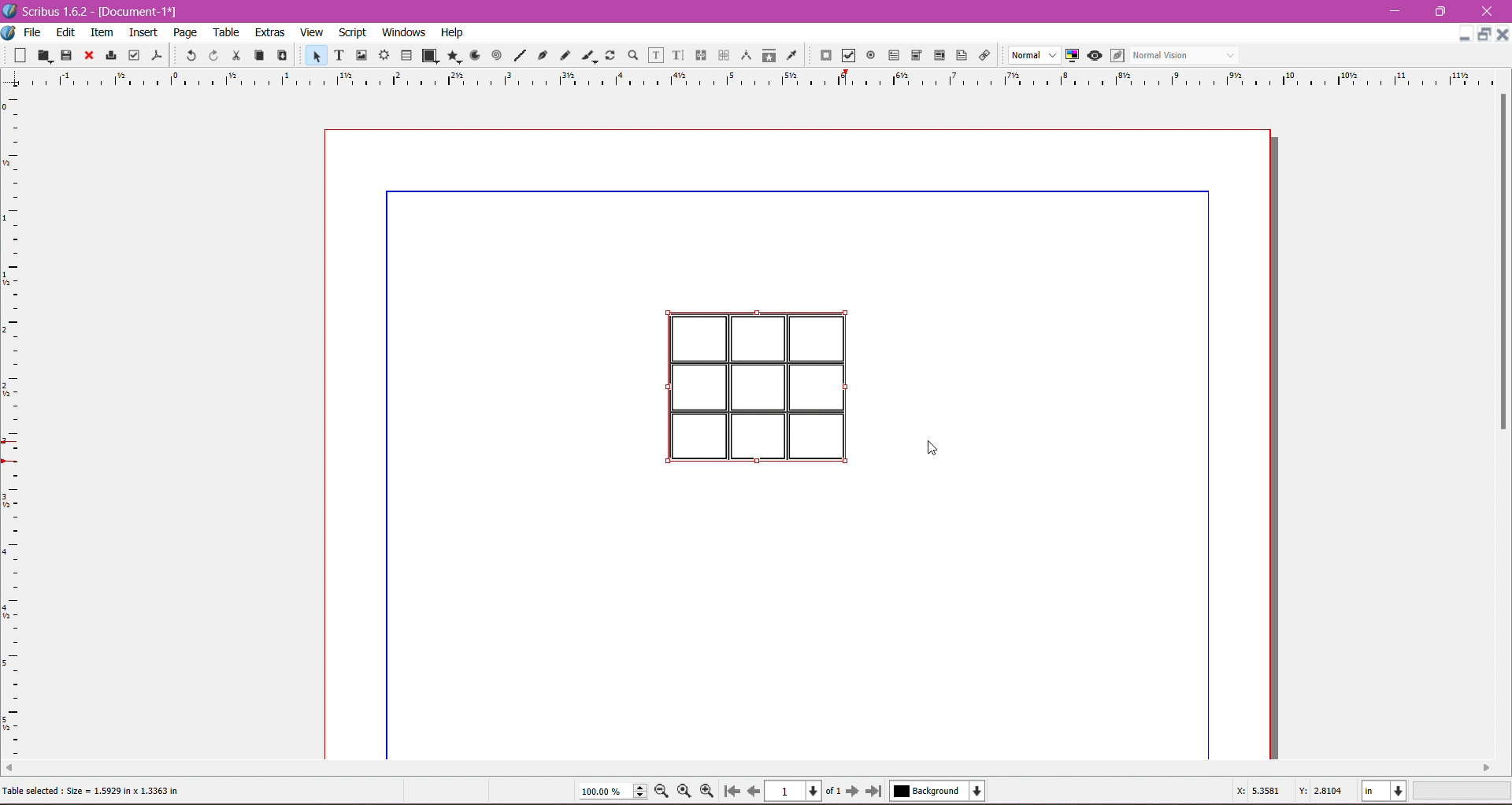 The width and height of the screenshot is (1512, 805). Describe the element at coordinates (753, 790) in the screenshot. I see `Previous page` at that location.